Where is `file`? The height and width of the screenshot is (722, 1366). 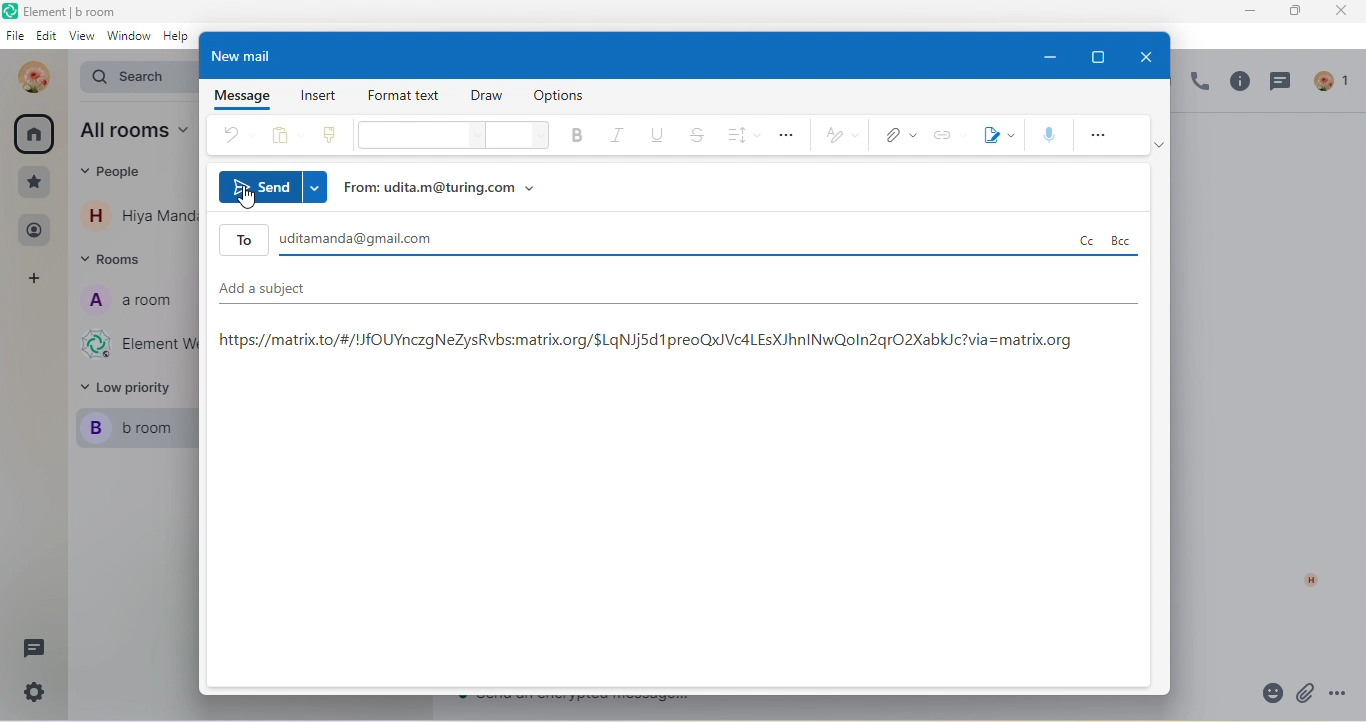
file is located at coordinates (14, 38).